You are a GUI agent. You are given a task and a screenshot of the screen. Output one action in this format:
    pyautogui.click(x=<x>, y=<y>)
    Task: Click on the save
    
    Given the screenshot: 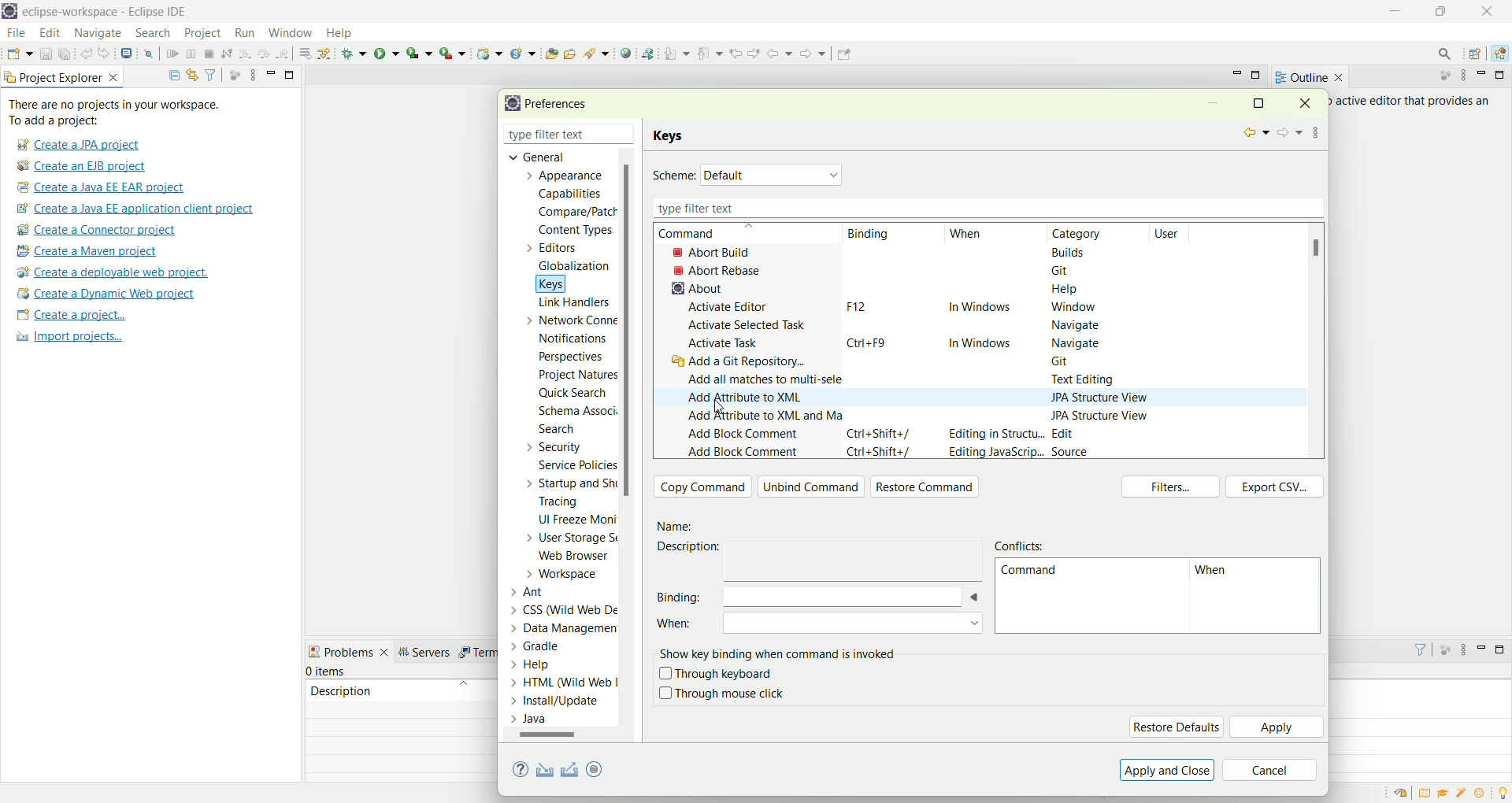 What is the action you would take?
    pyautogui.click(x=47, y=54)
    